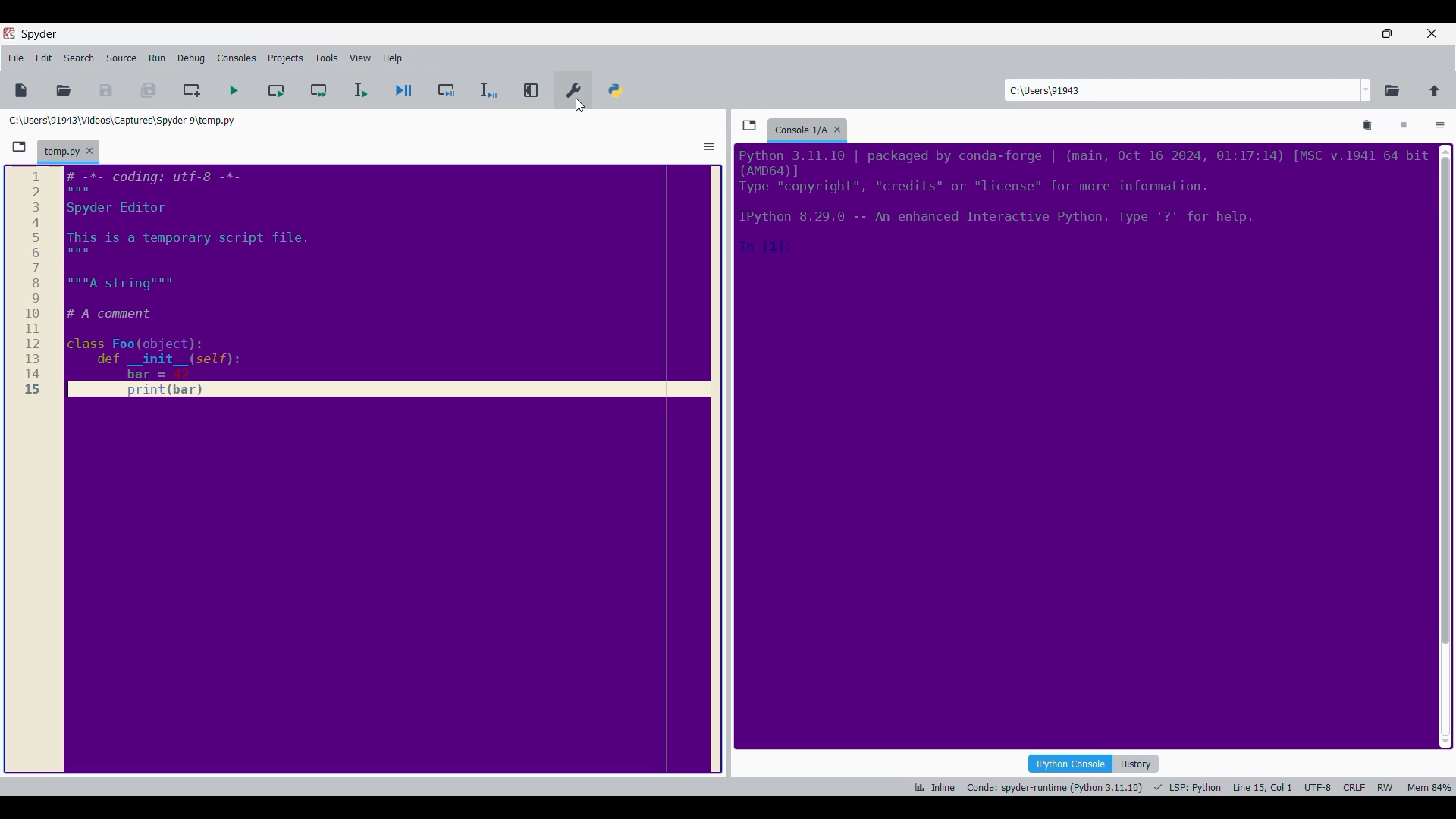 The image size is (1456, 819). I want to click on Minimize, so click(1344, 33).